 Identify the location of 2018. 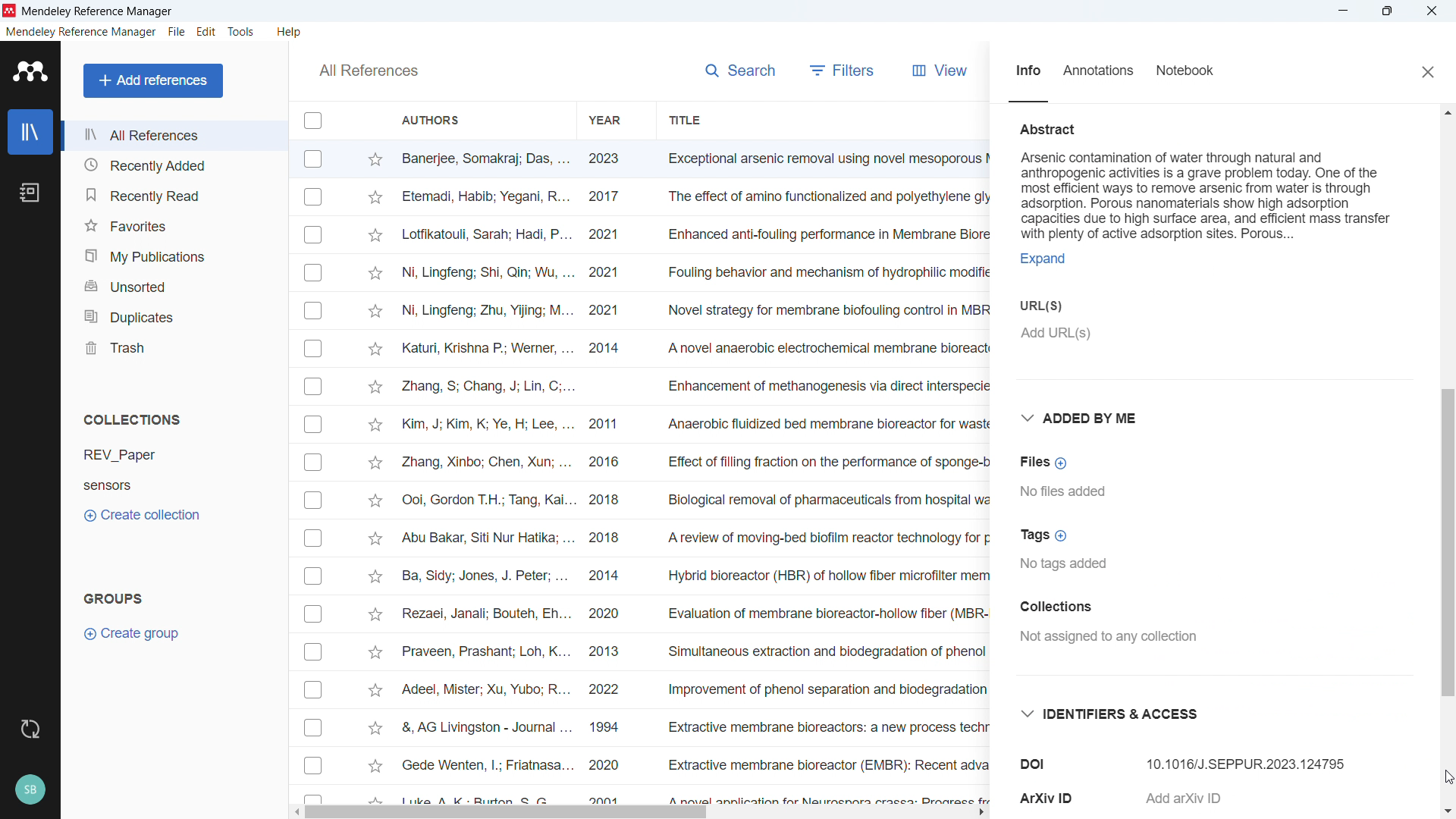
(613, 538).